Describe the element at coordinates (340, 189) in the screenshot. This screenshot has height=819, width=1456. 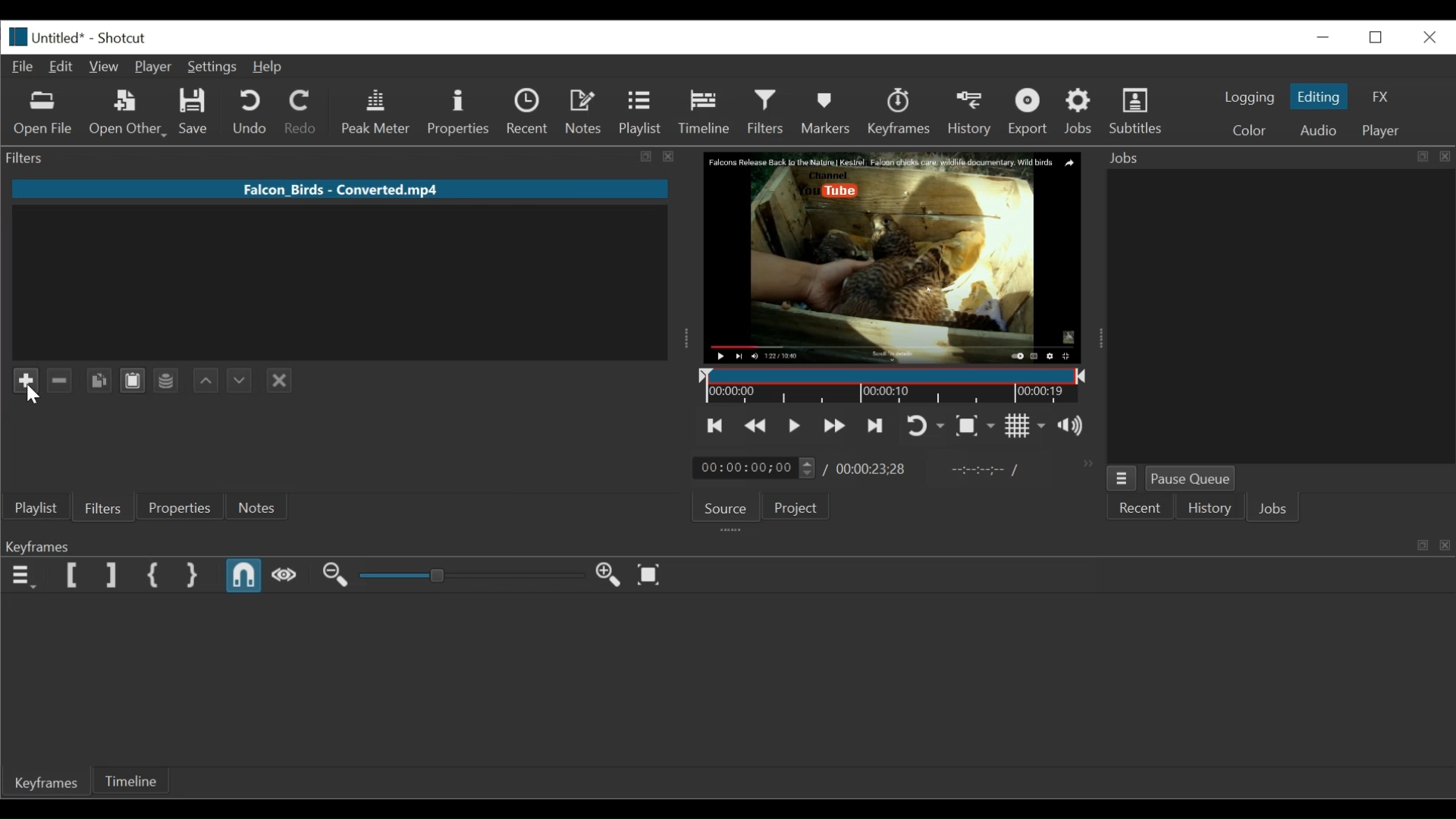
I see `File name` at that location.